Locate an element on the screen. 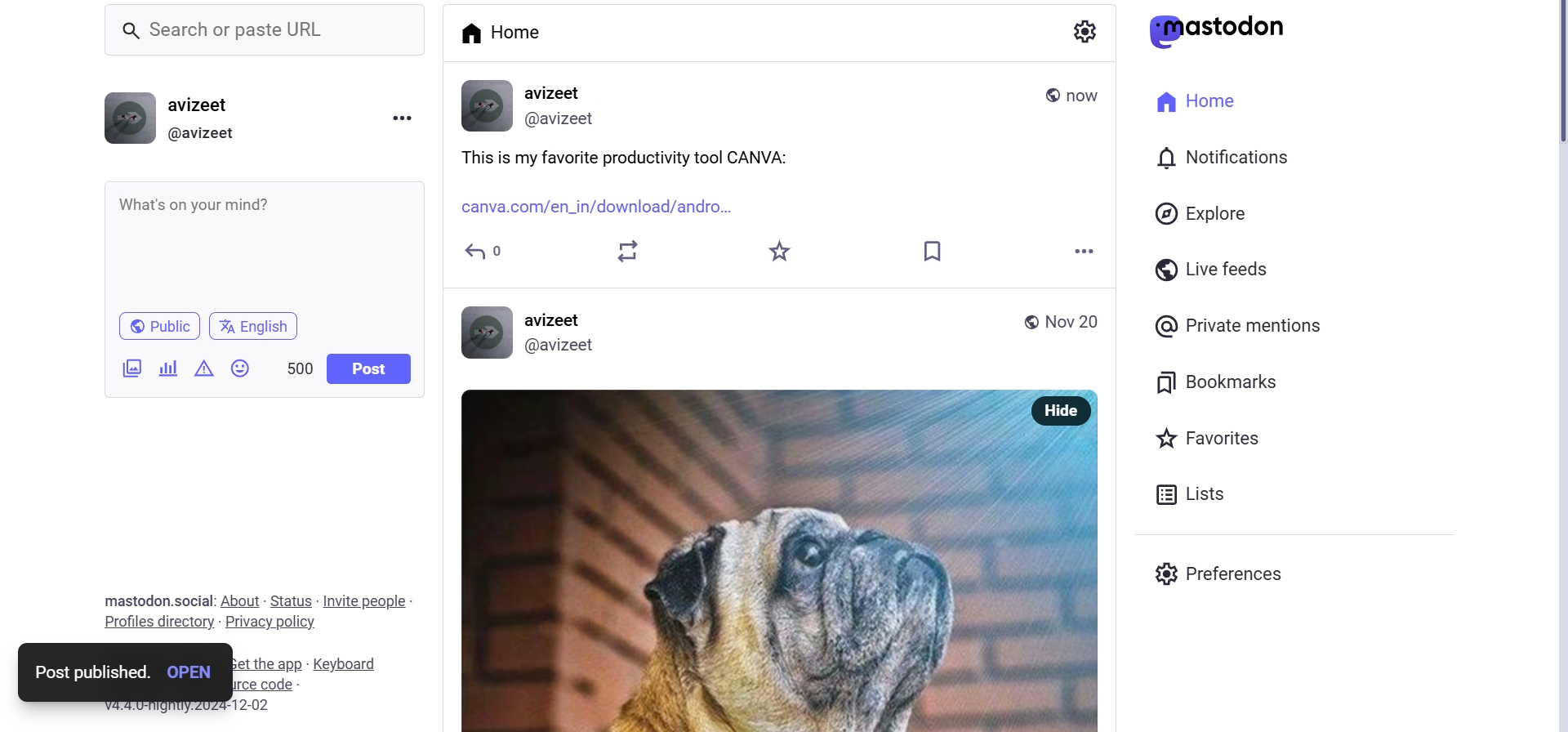  invite people is located at coordinates (366, 596).